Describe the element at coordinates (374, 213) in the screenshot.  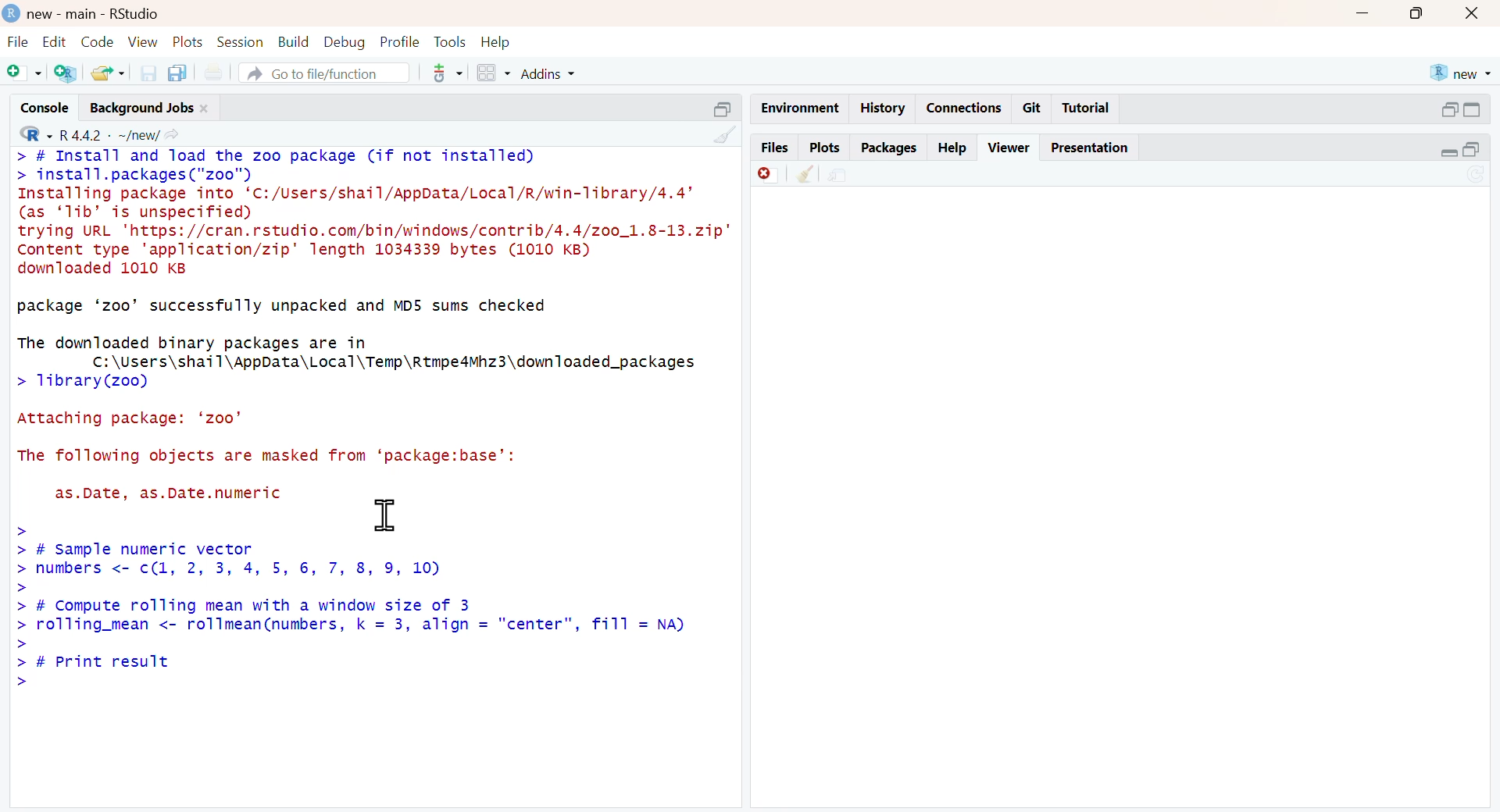
I see `> # Install and Toad the zoo package (if not installed)

> install.packages ("zoo")

Installing package into ‘C:/Users/shail/AppData/Local/R/win-Tibrary/4.4’

(as ‘1ib’ dis unspecified)

trying URL 'https://cran.rstudio.com/bin/windows/contrib/4.4/zo0_1.8-13.zip"
Content type 'application/zip' length 1034339 bytes (1010 KB)

downloaded 1010 KB` at that location.